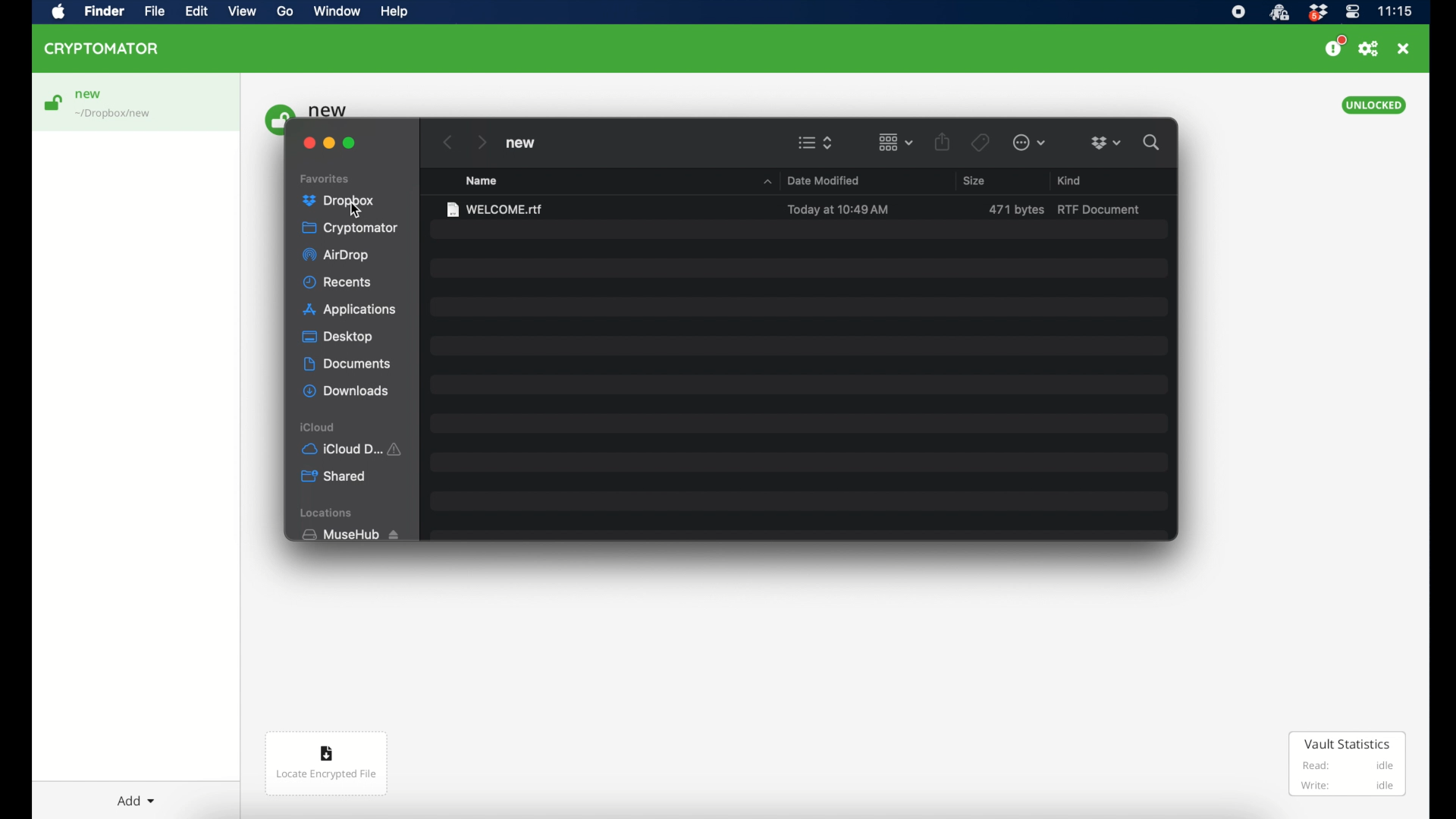 The height and width of the screenshot is (819, 1456). Describe the element at coordinates (115, 115) in the screenshot. I see `location` at that location.